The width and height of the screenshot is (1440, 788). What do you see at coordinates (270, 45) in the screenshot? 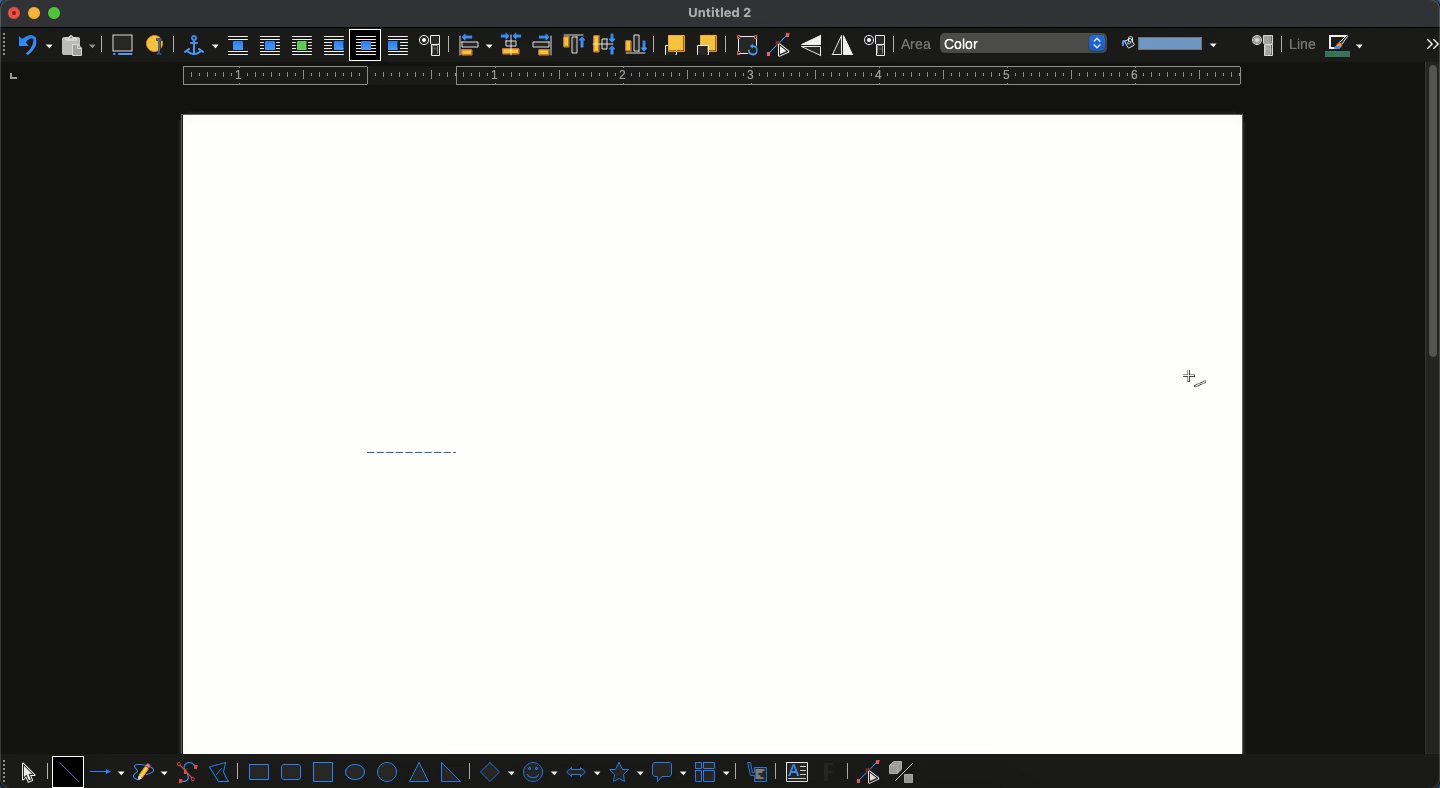
I see `parallel` at bounding box center [270, 45].